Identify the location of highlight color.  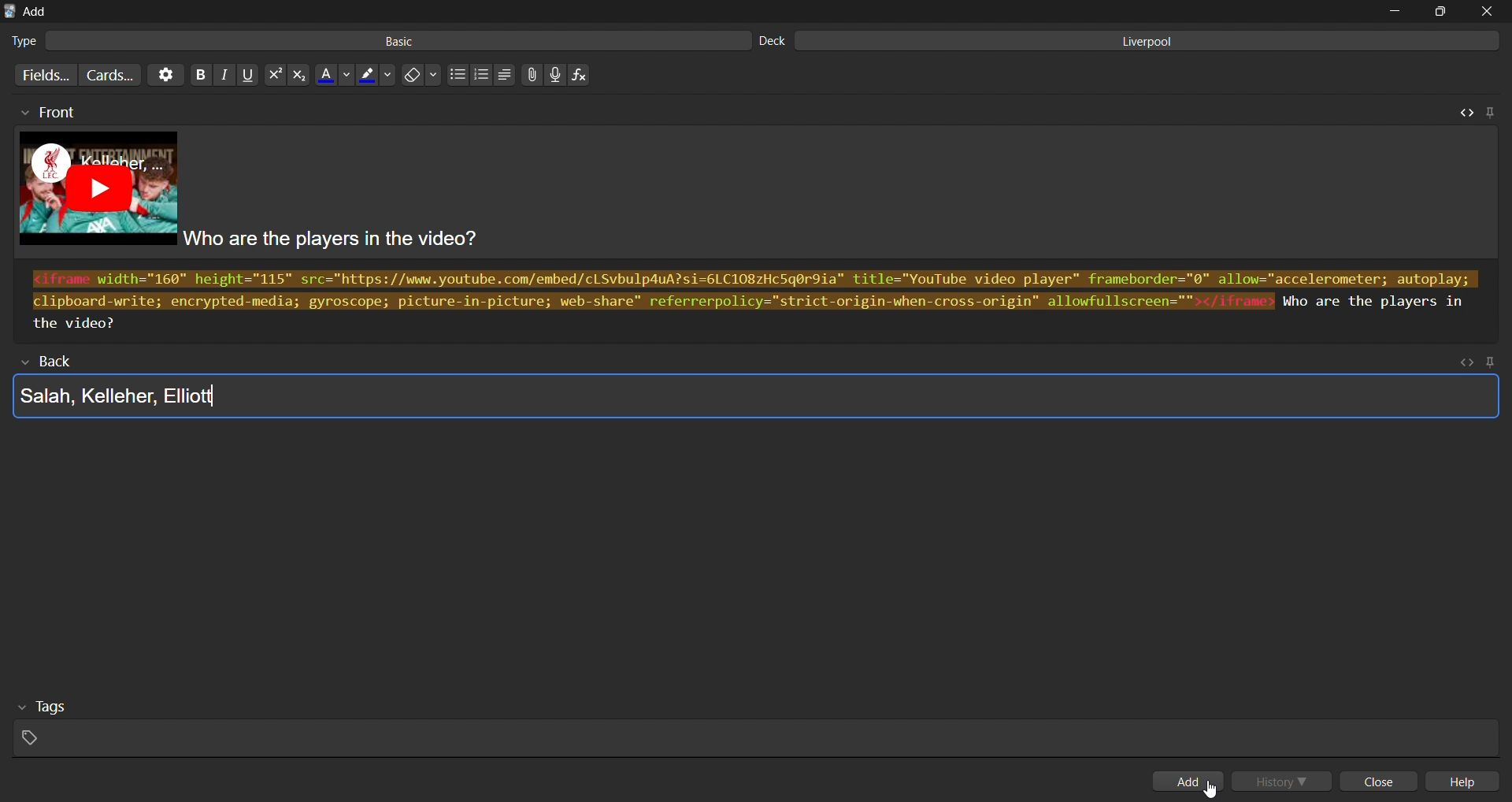
(377, 72).